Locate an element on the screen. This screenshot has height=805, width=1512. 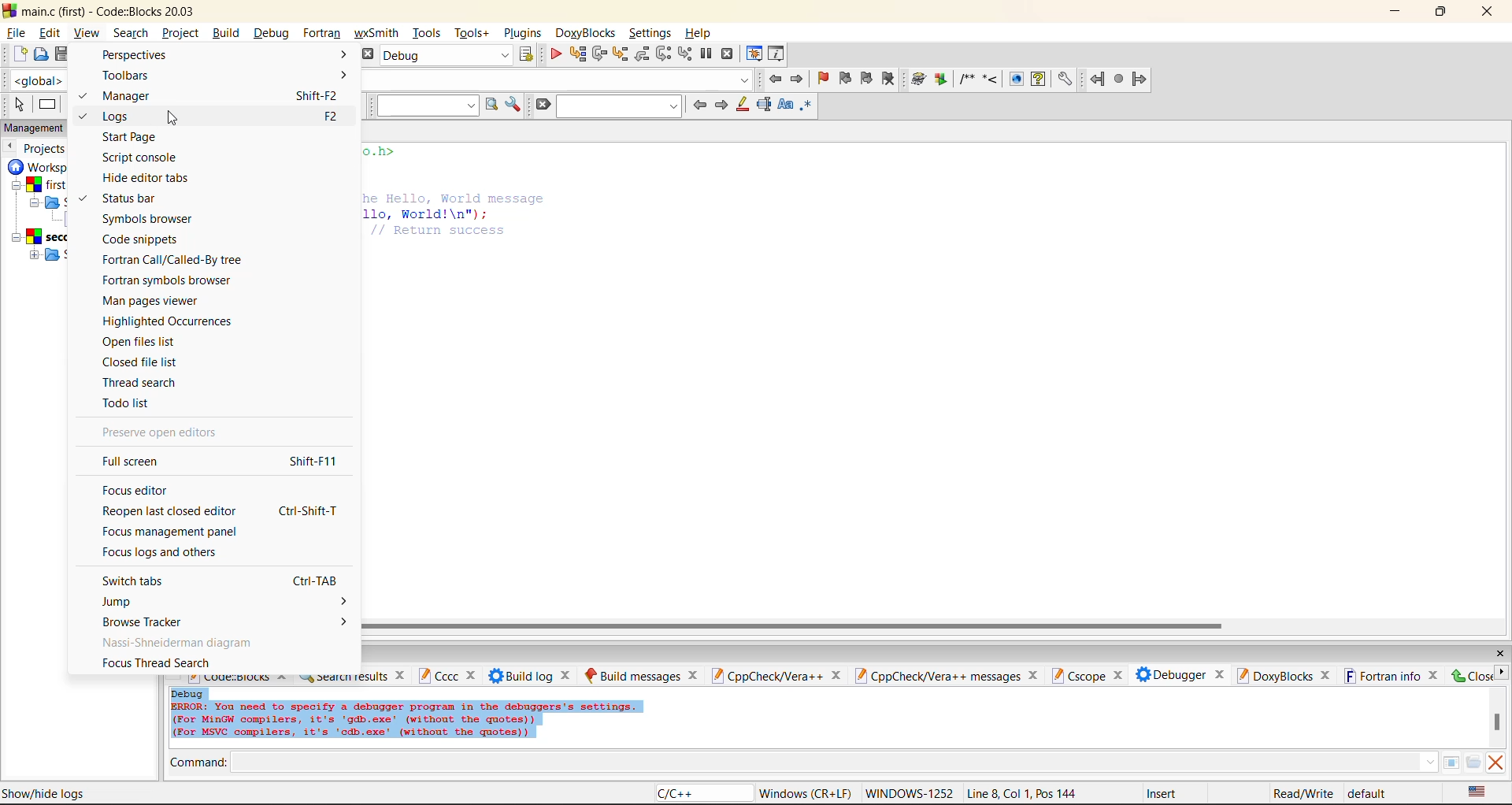
step into is located at coordinates (622, 55).